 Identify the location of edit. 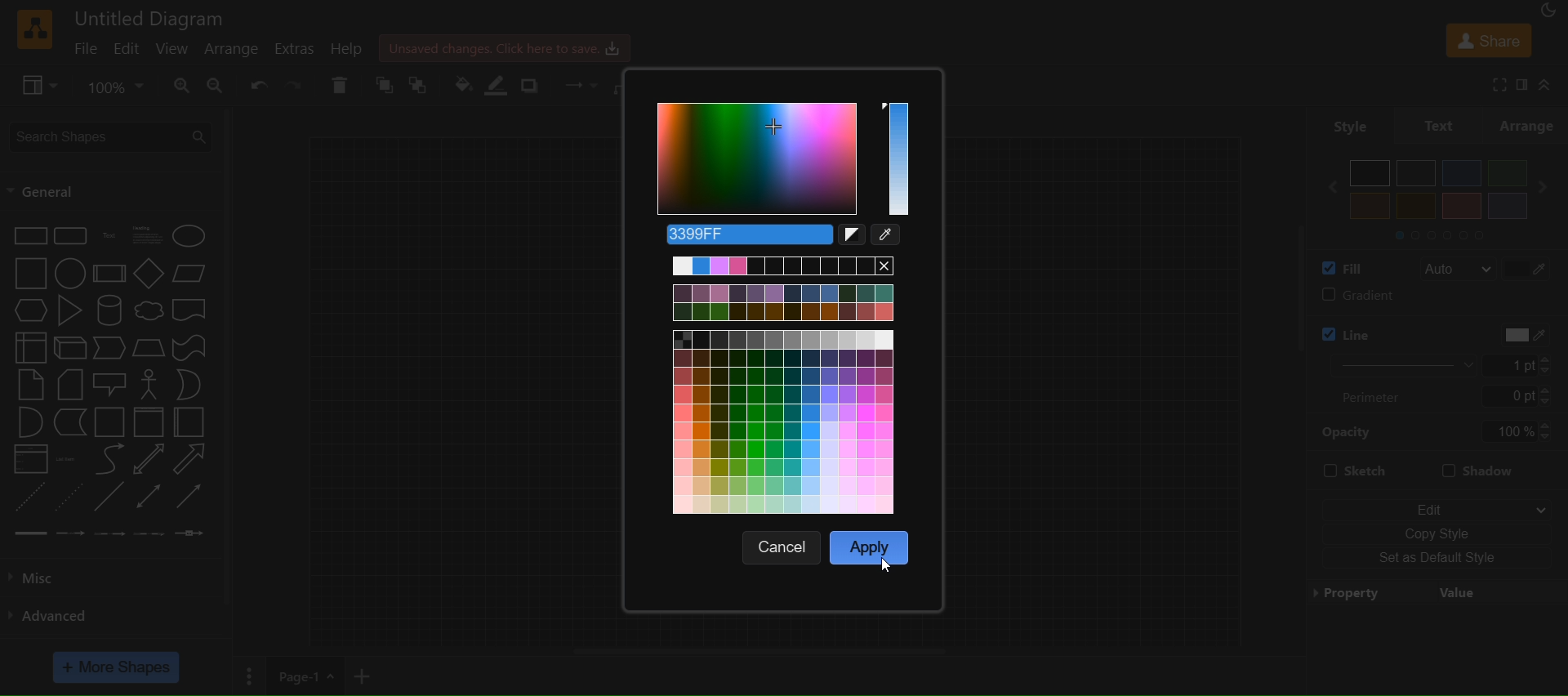
(128, 49).